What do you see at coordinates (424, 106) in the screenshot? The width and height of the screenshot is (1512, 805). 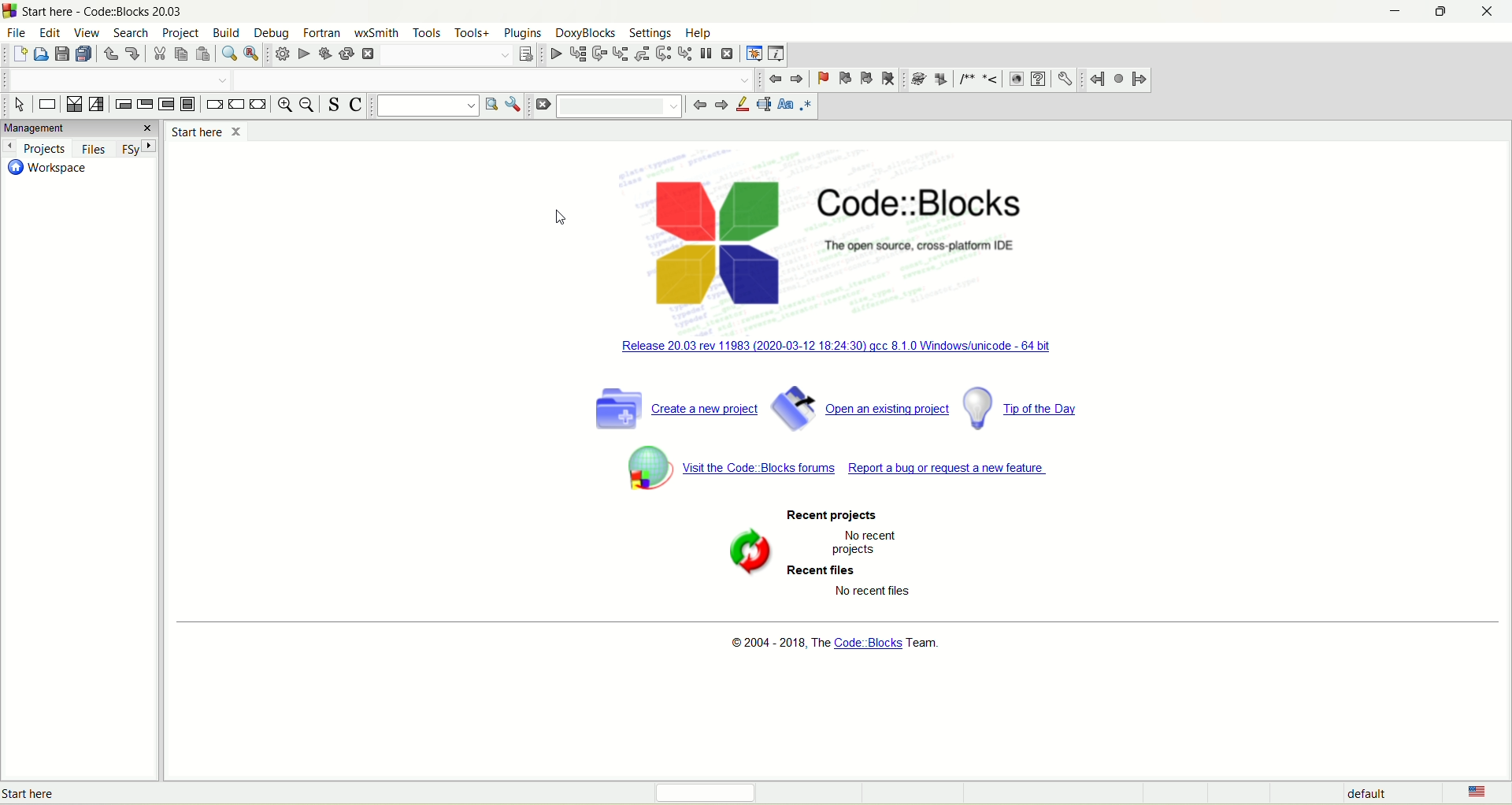 I see `text search` at bounding box center [424, 106].